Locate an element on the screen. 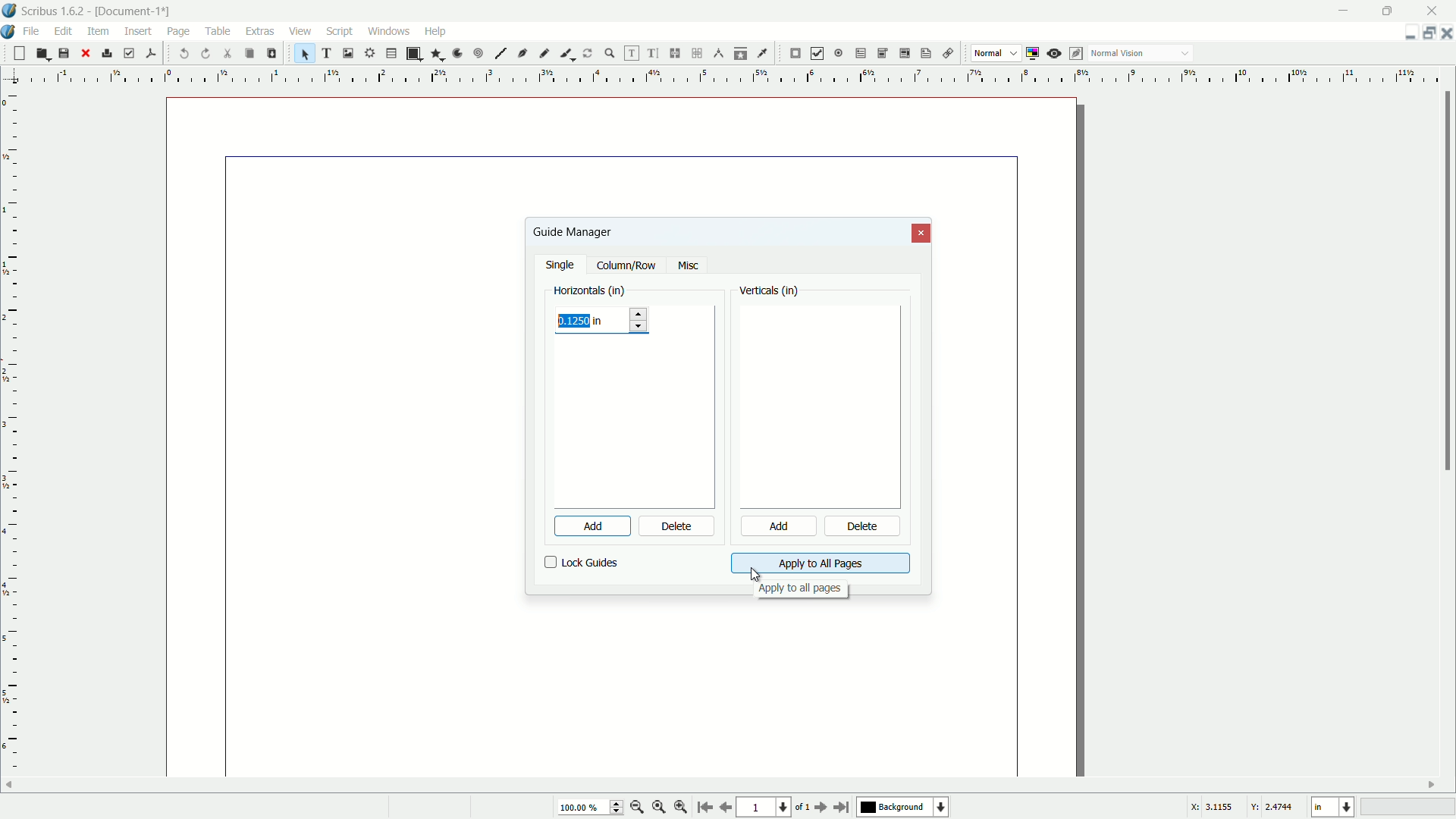 Image resolution: width=1456 pixels, height=819 pixels. item menu is located at coordinates (99, 30).